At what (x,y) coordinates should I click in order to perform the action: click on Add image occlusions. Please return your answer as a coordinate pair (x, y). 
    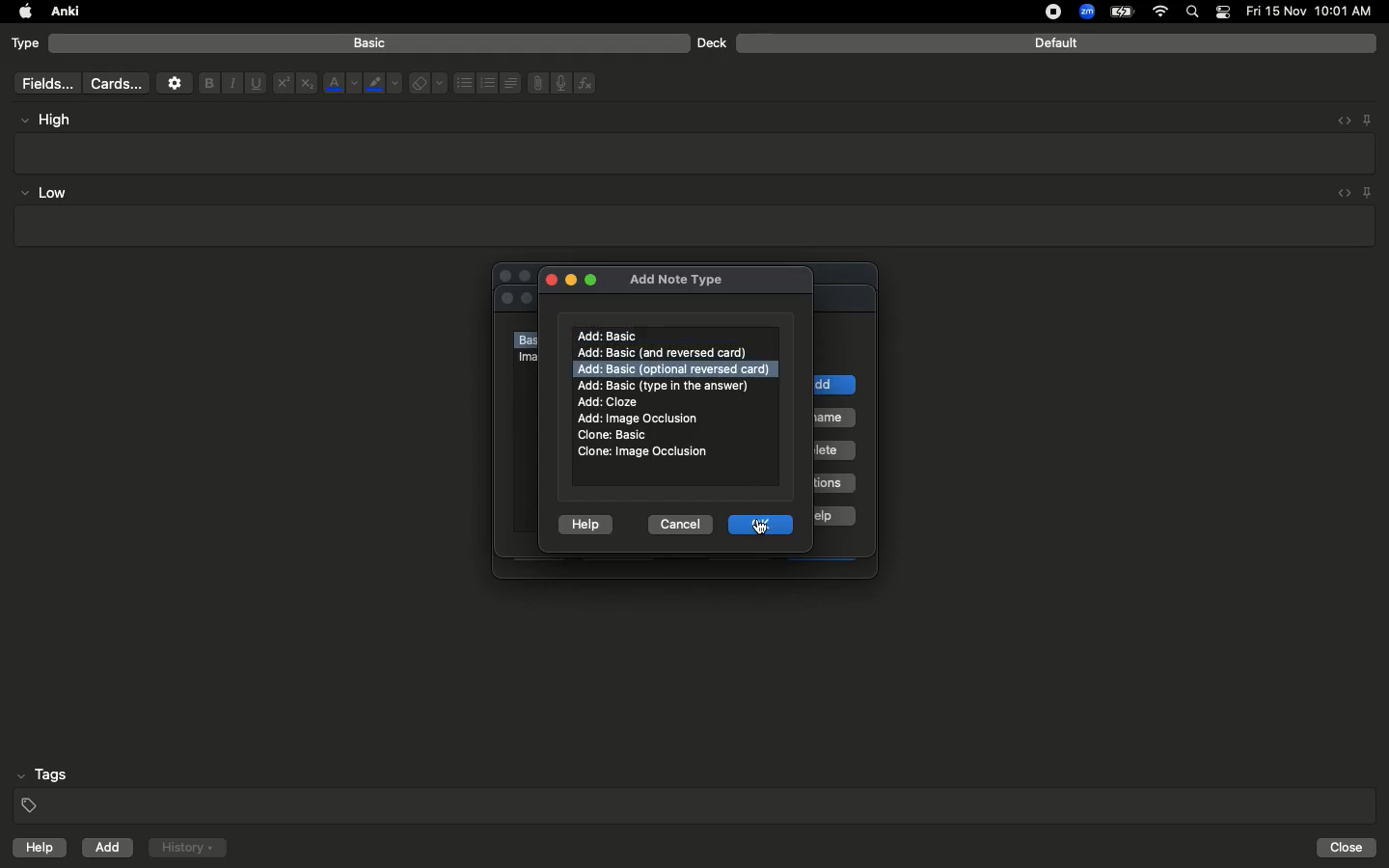
    Looking at the image, I should click on (642, 419).